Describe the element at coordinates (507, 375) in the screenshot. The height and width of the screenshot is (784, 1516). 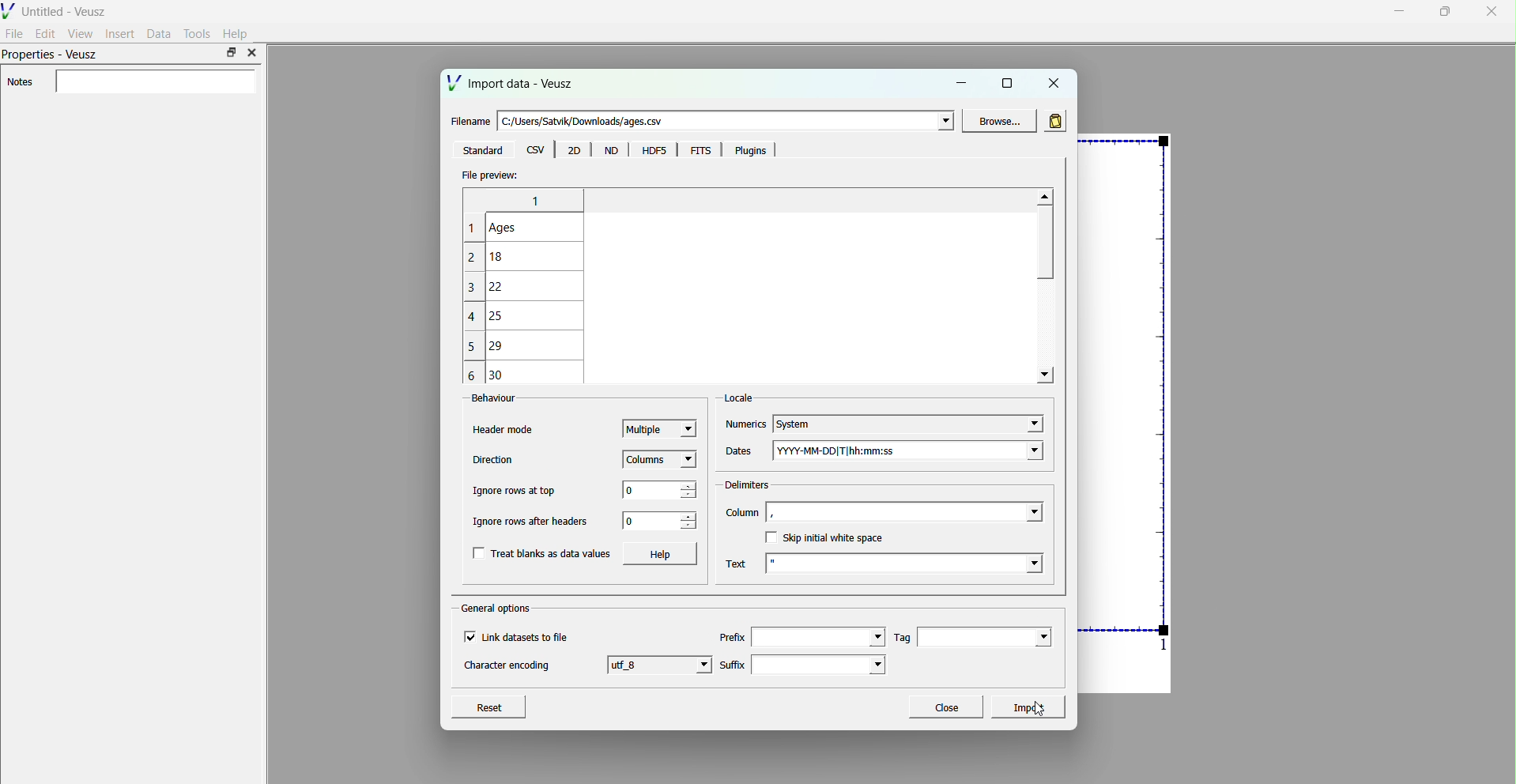
I see `30` at that location.